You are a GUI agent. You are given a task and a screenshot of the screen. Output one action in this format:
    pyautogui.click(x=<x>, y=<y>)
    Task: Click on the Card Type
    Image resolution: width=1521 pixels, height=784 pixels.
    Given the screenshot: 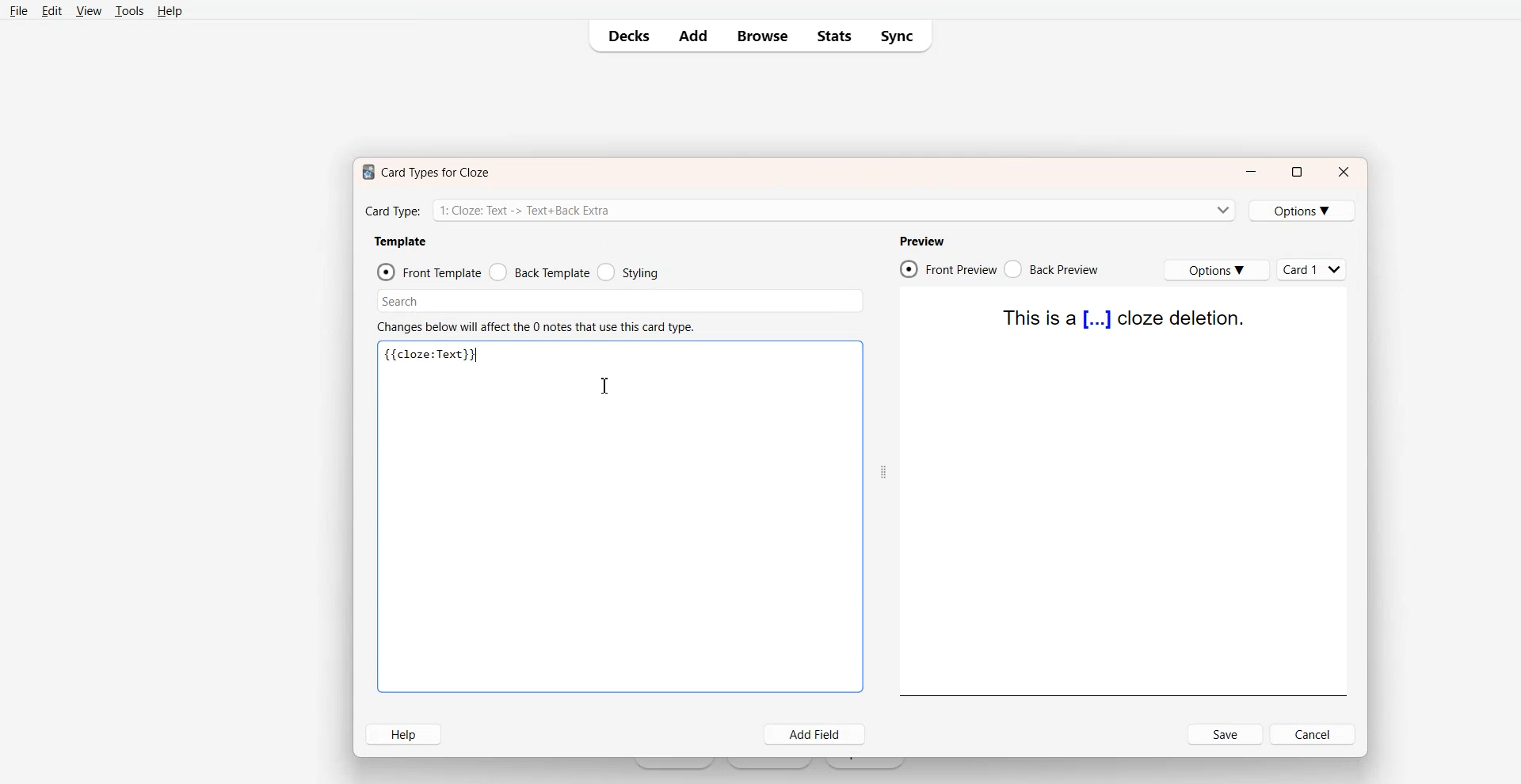 What is the action you would take?
    pyautogui.click(x=799, y=209)
    